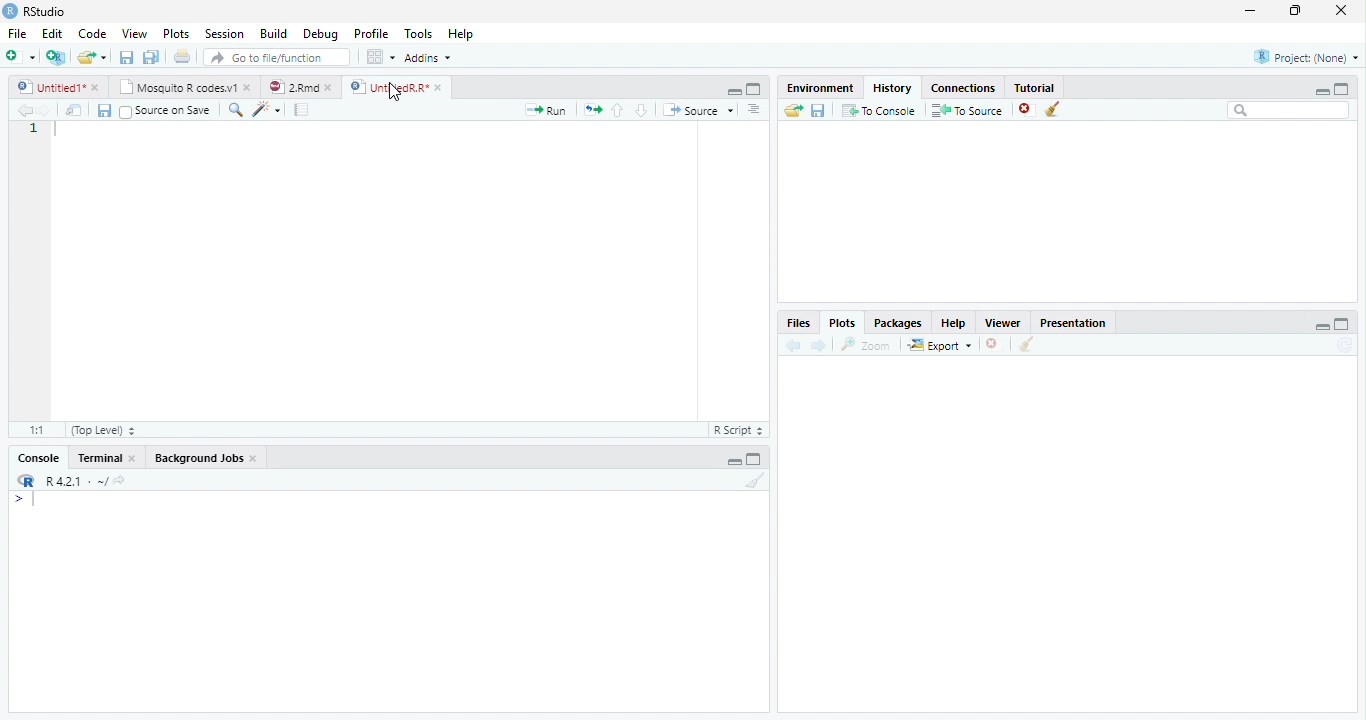 The image size is (1366, 720). Describe the element at coordinates (1295, 10) in the screenshot. I see `restore` at that location.